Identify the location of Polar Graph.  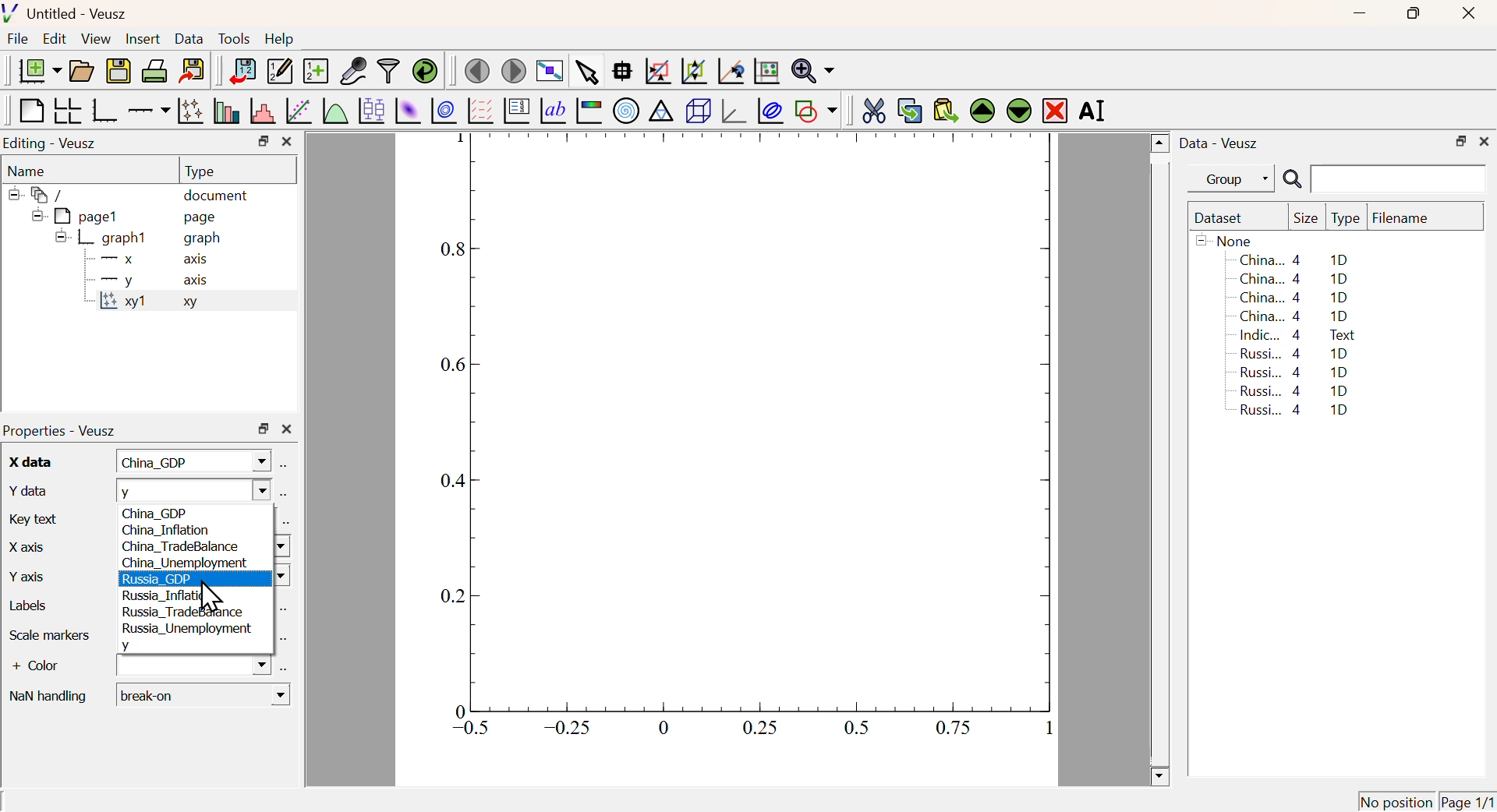
(627, 110).